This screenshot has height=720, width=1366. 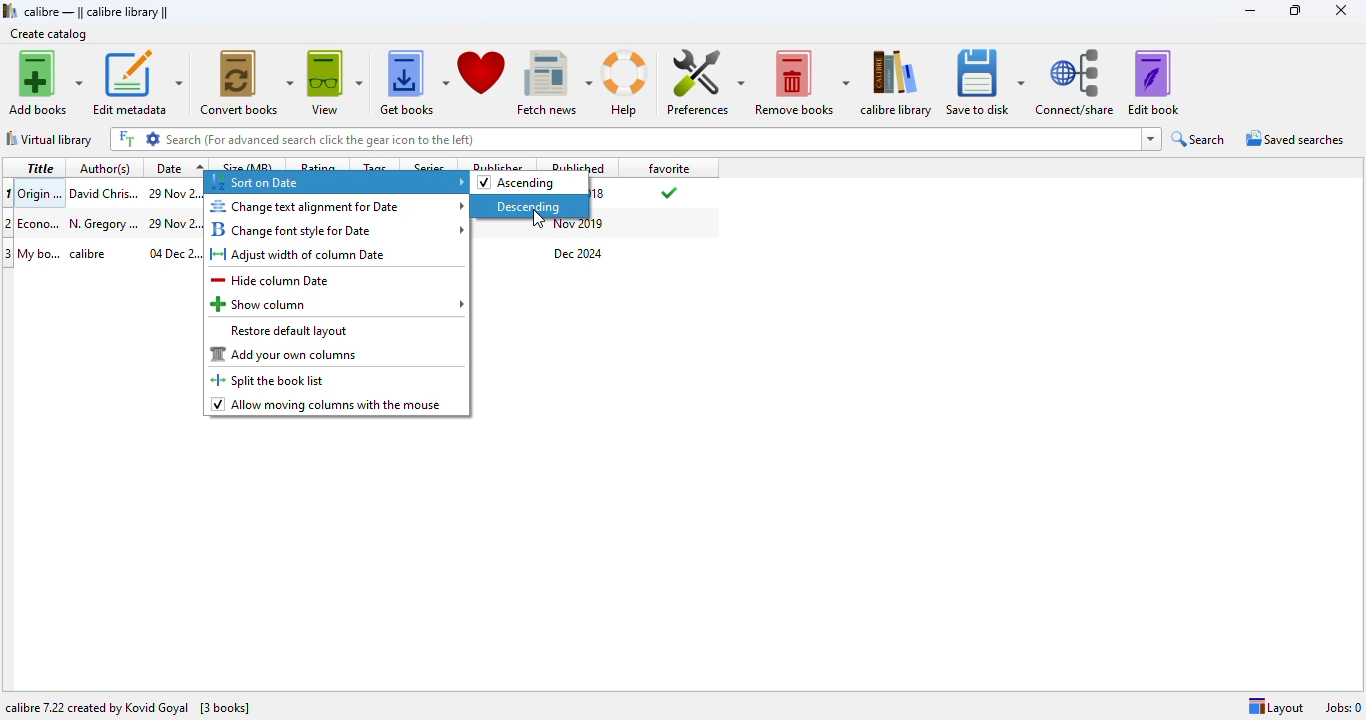 I want to click on ascending, so click(x=517, y=183).